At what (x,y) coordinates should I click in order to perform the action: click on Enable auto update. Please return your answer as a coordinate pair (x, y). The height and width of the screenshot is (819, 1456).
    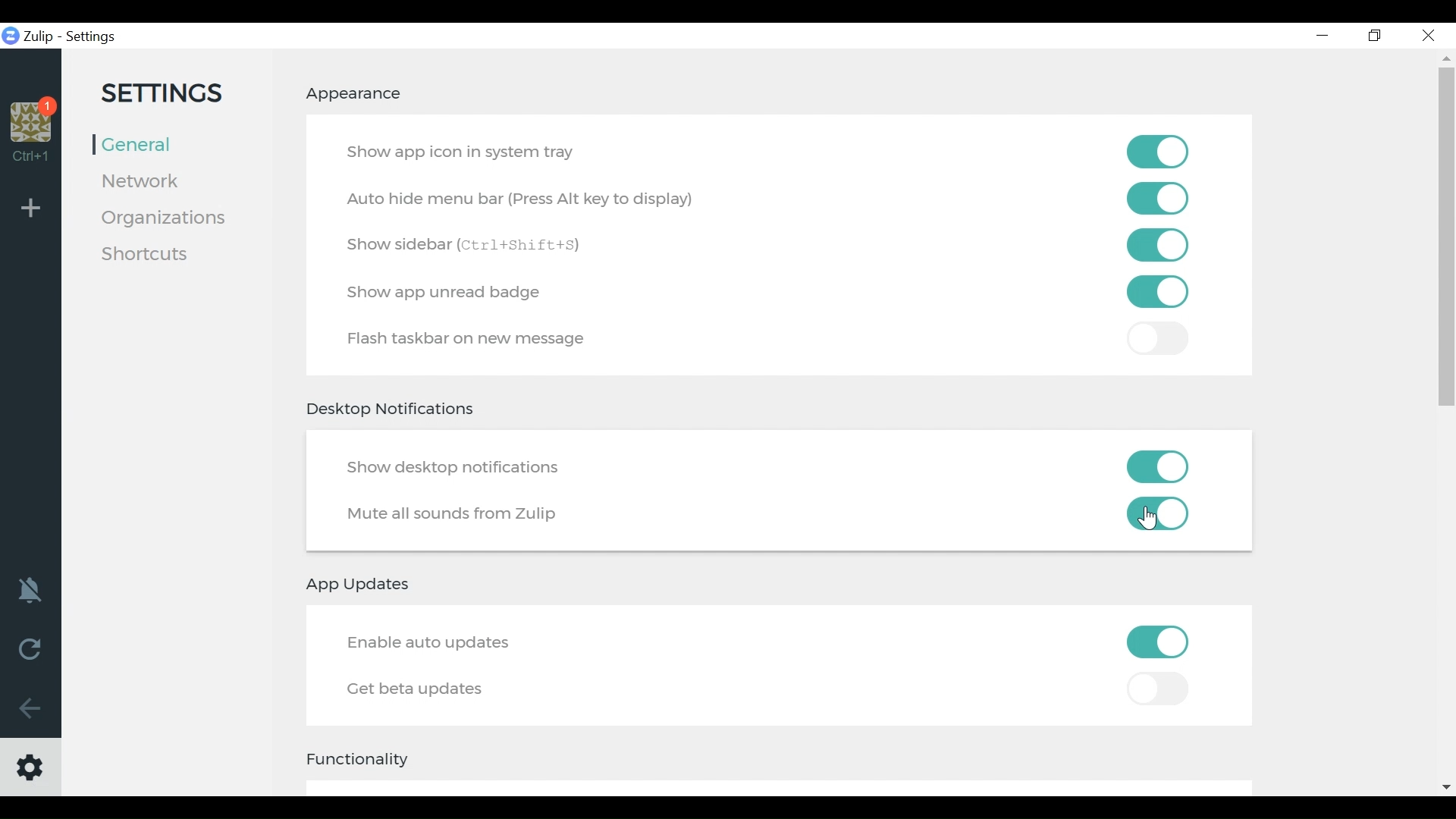
    Looking at the image, I should click on (435, 645).